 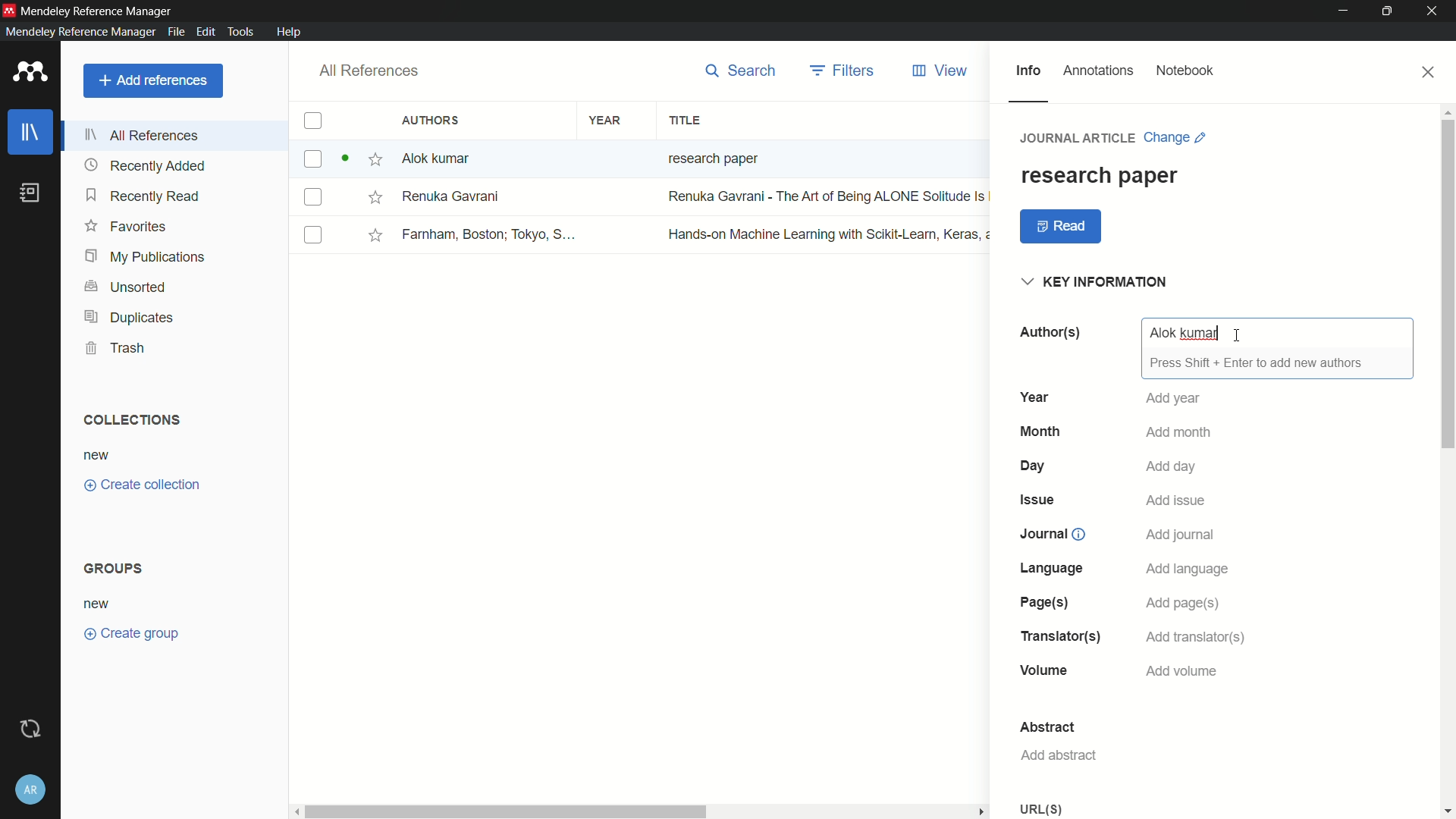 I want to click on close, so click(x=1429, y=72).